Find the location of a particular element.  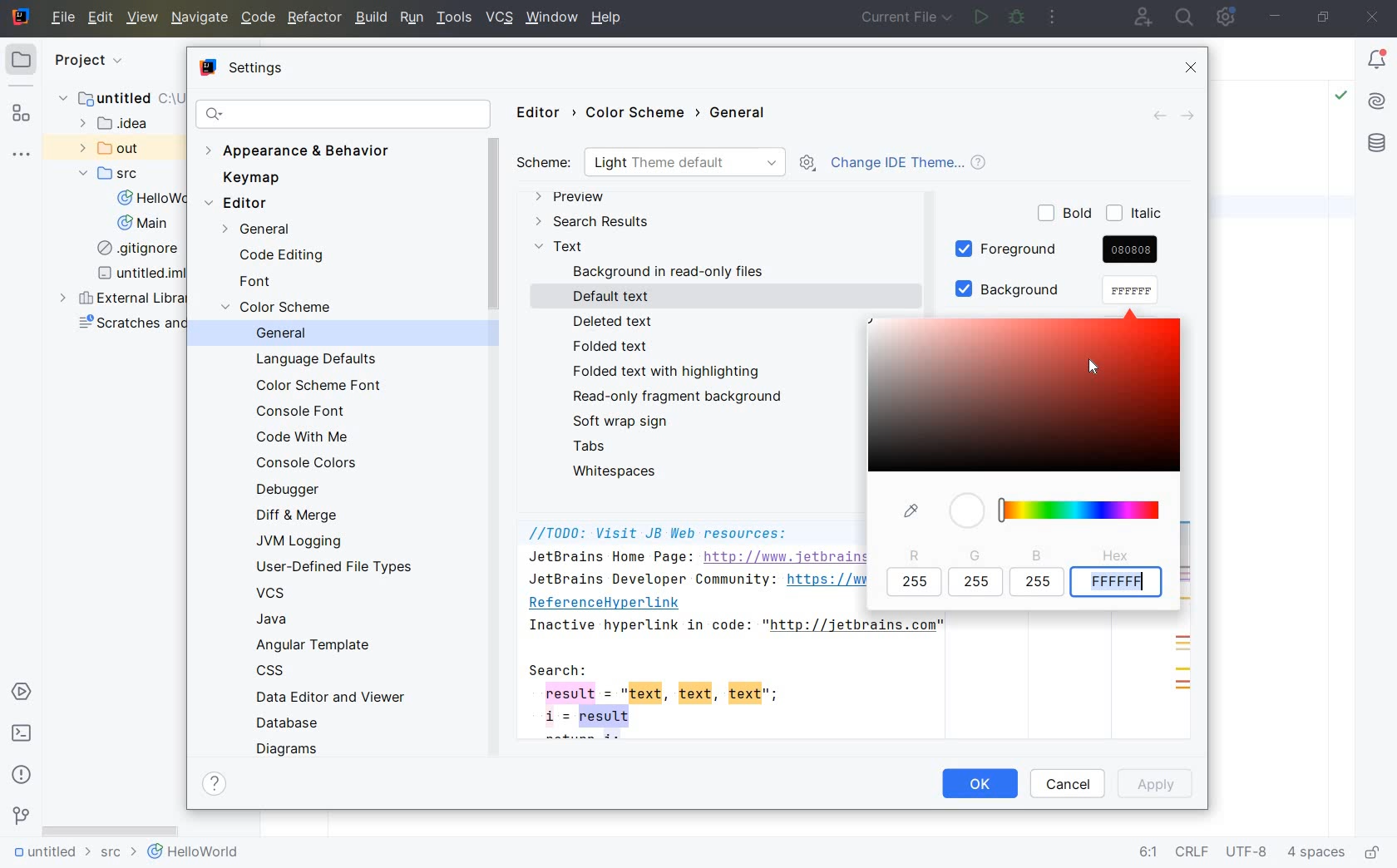

problems is located at coordinates (22, 774).